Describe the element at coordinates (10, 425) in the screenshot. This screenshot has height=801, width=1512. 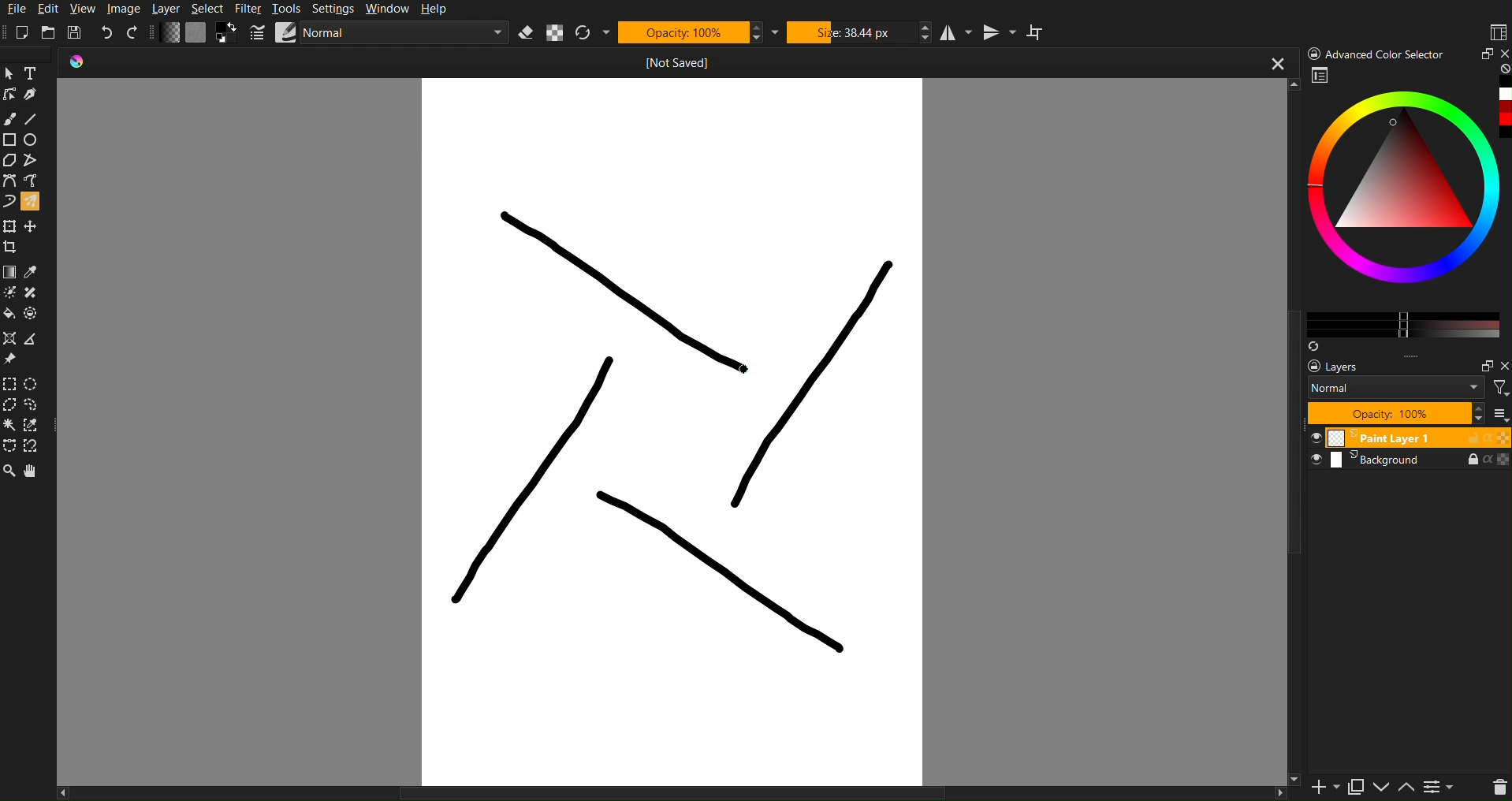
I see `Continous selection tool` at that location.